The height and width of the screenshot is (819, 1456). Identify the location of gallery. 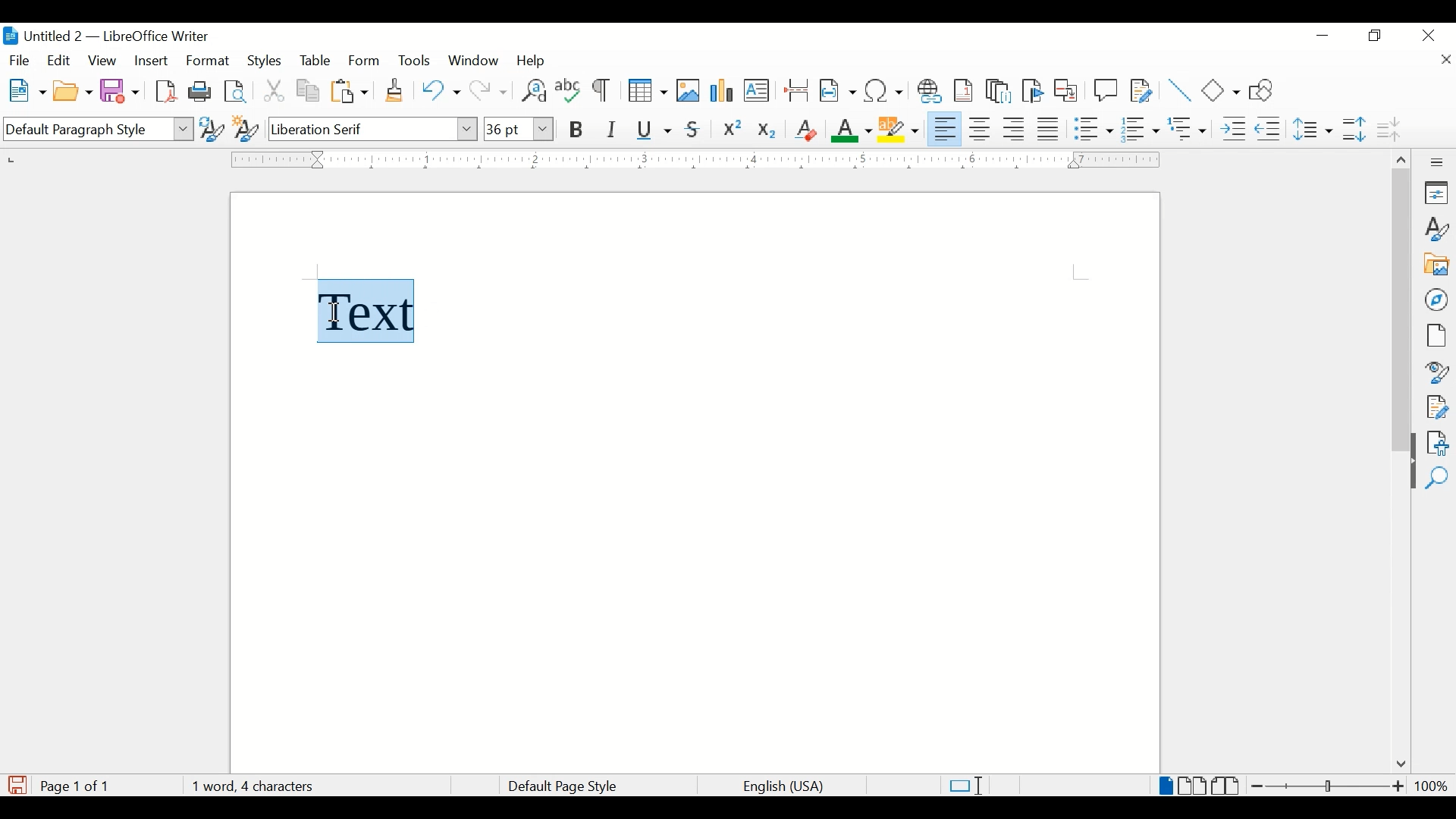
(1437, 265).